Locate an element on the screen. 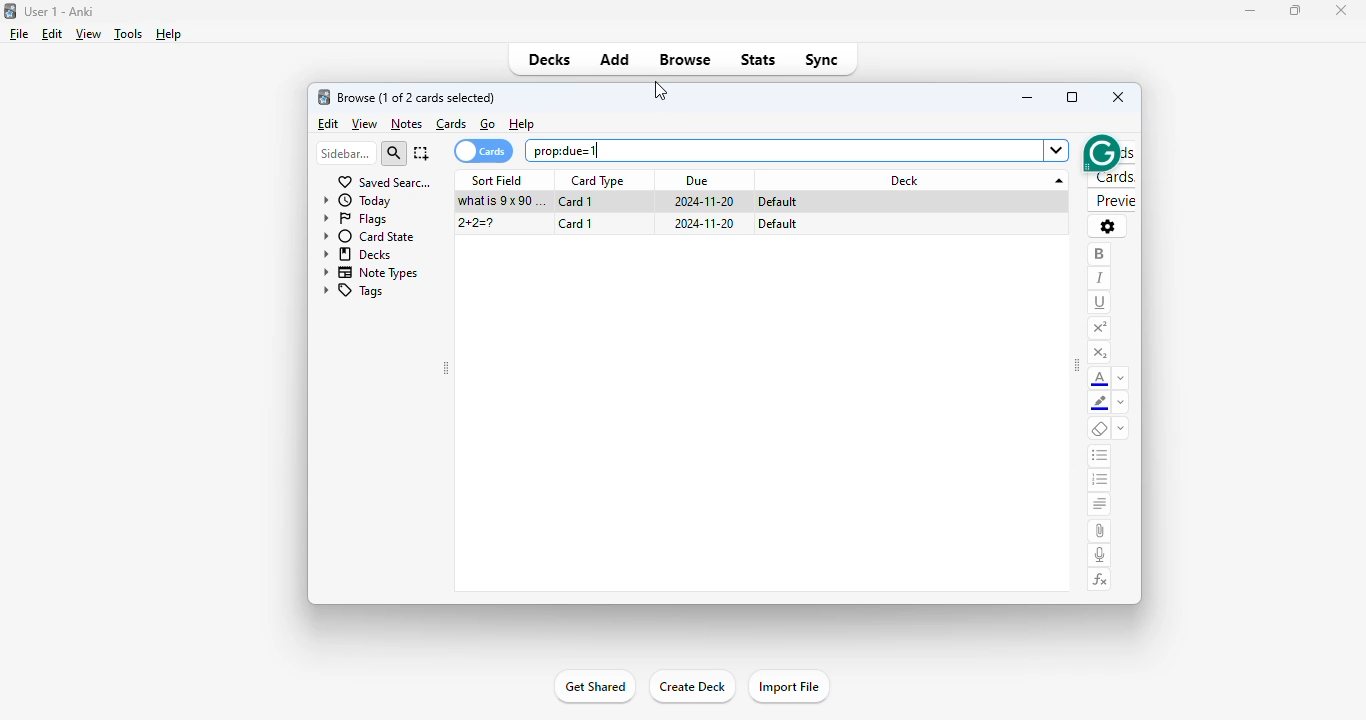  go is located at coordinates (489, 124).